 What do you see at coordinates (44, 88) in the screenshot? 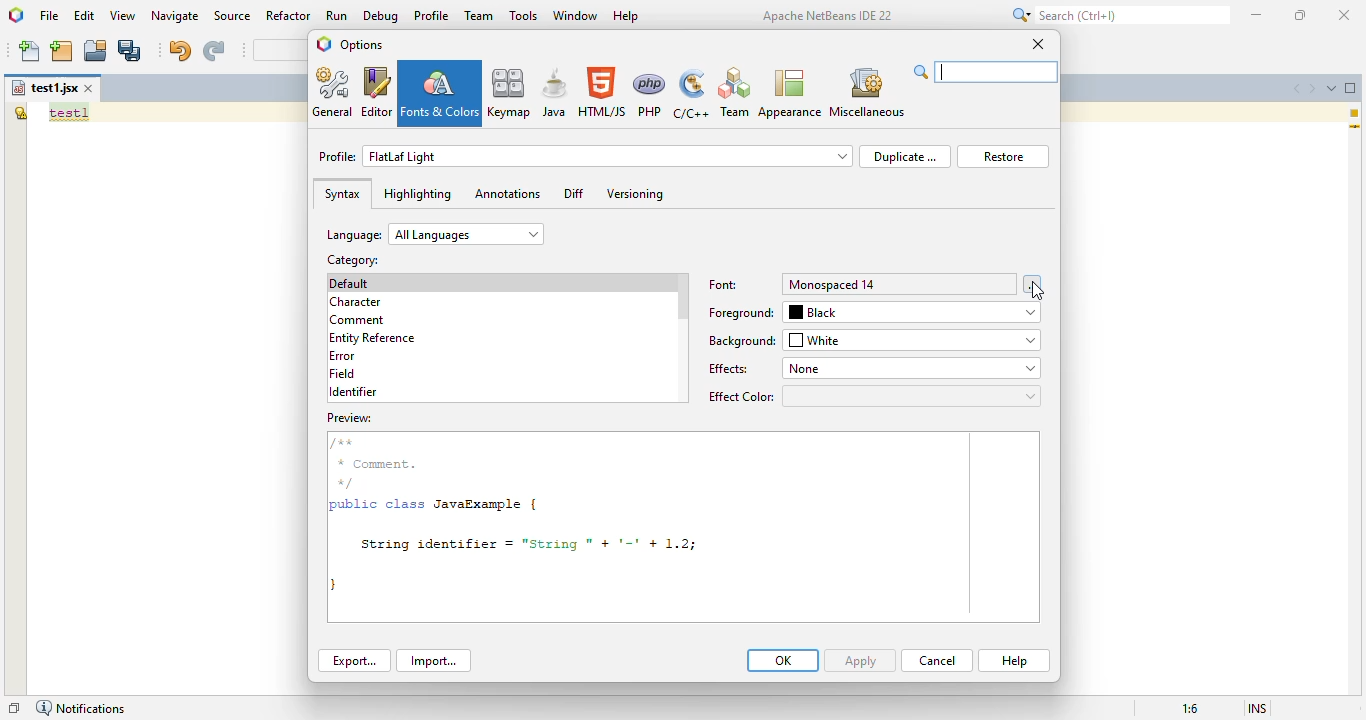
I see `file name` at bounding box center [44, 88].